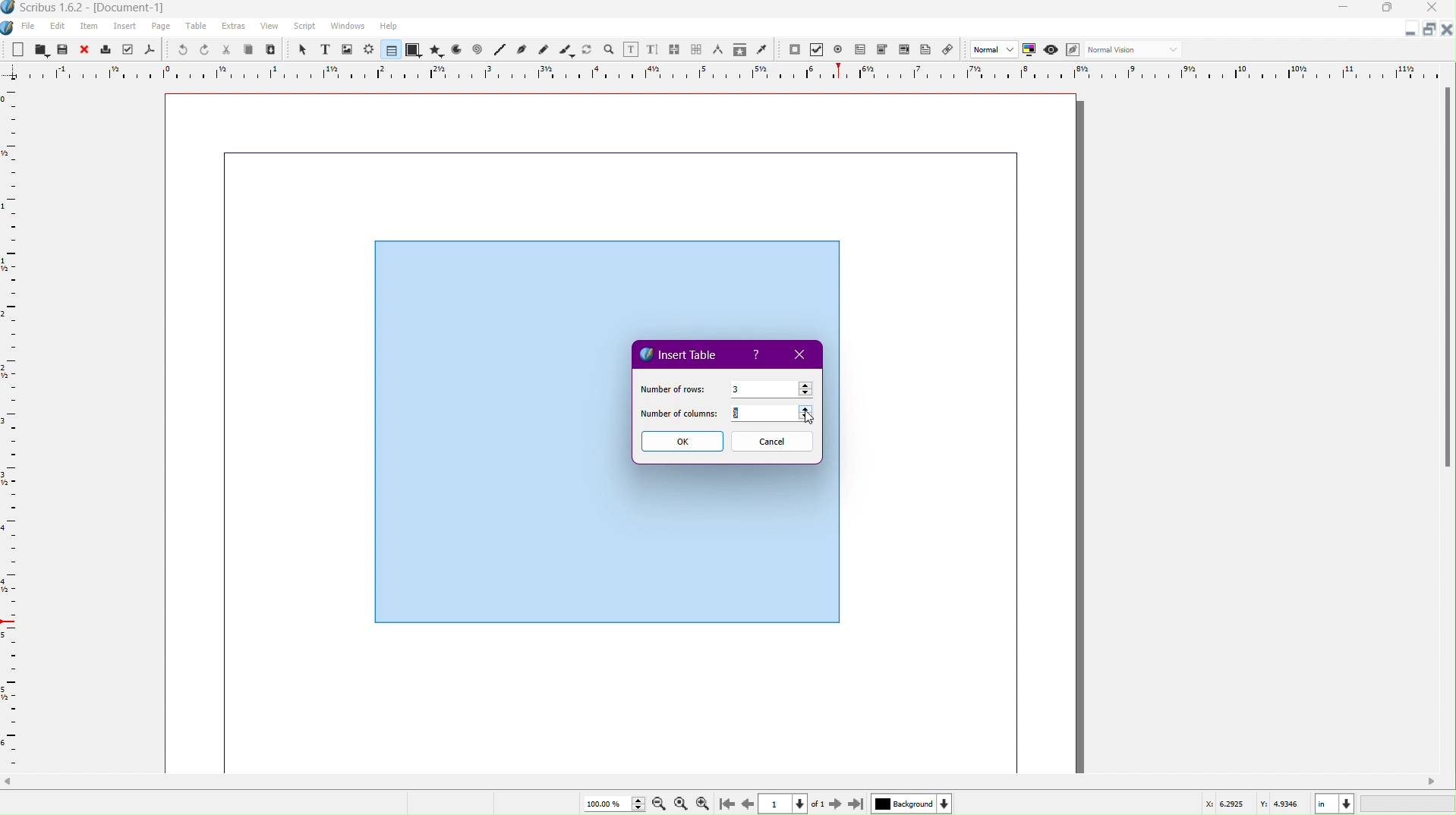 This screenshot has height=815, width=1456. Describe the element at coordinates (19, 49) in the screenshot. I see `New` at that location.